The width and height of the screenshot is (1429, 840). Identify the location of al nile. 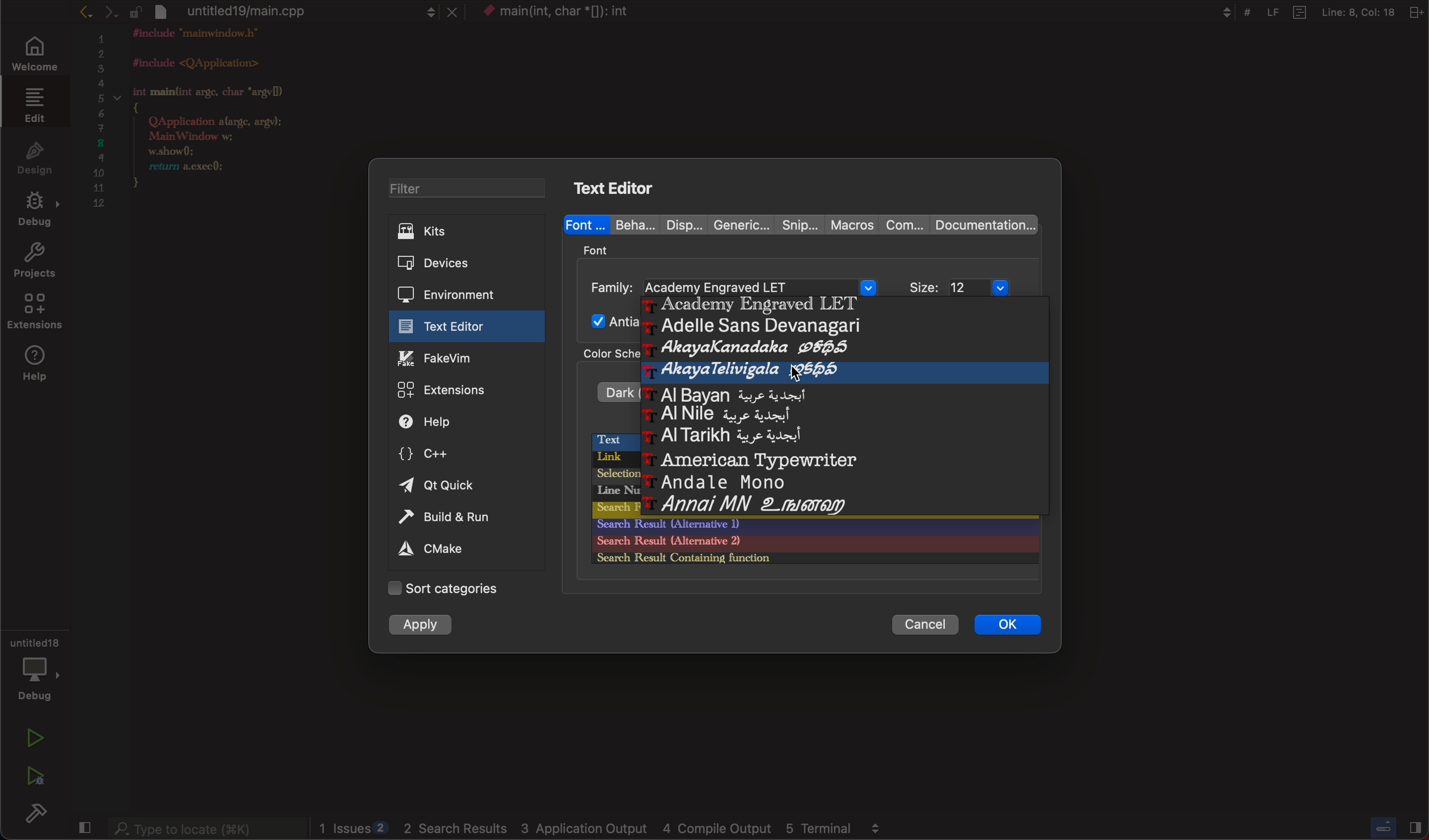
(721, 415).